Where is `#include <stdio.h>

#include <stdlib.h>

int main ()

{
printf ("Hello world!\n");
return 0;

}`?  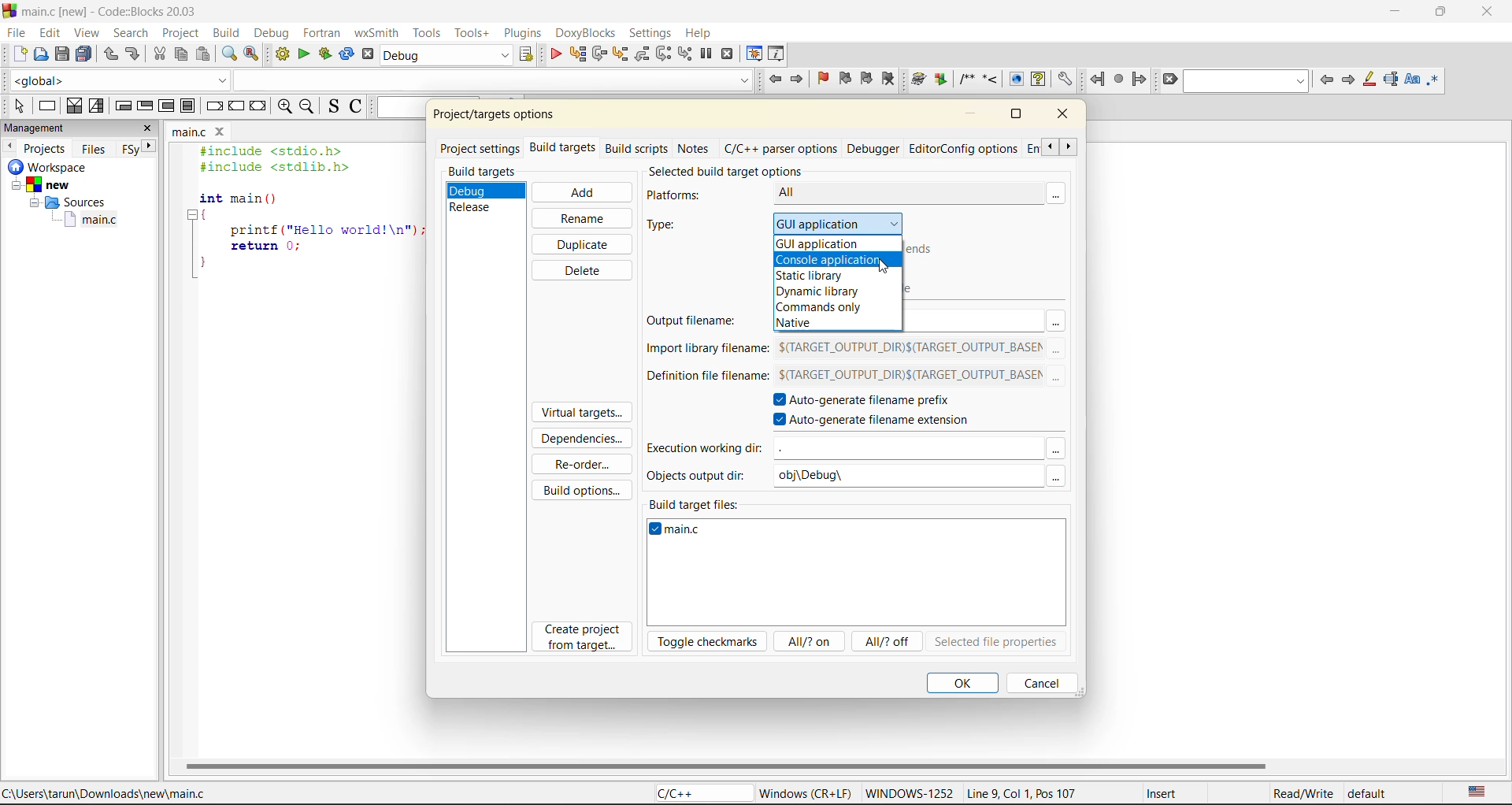
#include <stdio.h>

#include <stdlib.h>

int main ()

{
printf ("Hello world!\n");
return 0;

} is located at coordinates (305, 215).